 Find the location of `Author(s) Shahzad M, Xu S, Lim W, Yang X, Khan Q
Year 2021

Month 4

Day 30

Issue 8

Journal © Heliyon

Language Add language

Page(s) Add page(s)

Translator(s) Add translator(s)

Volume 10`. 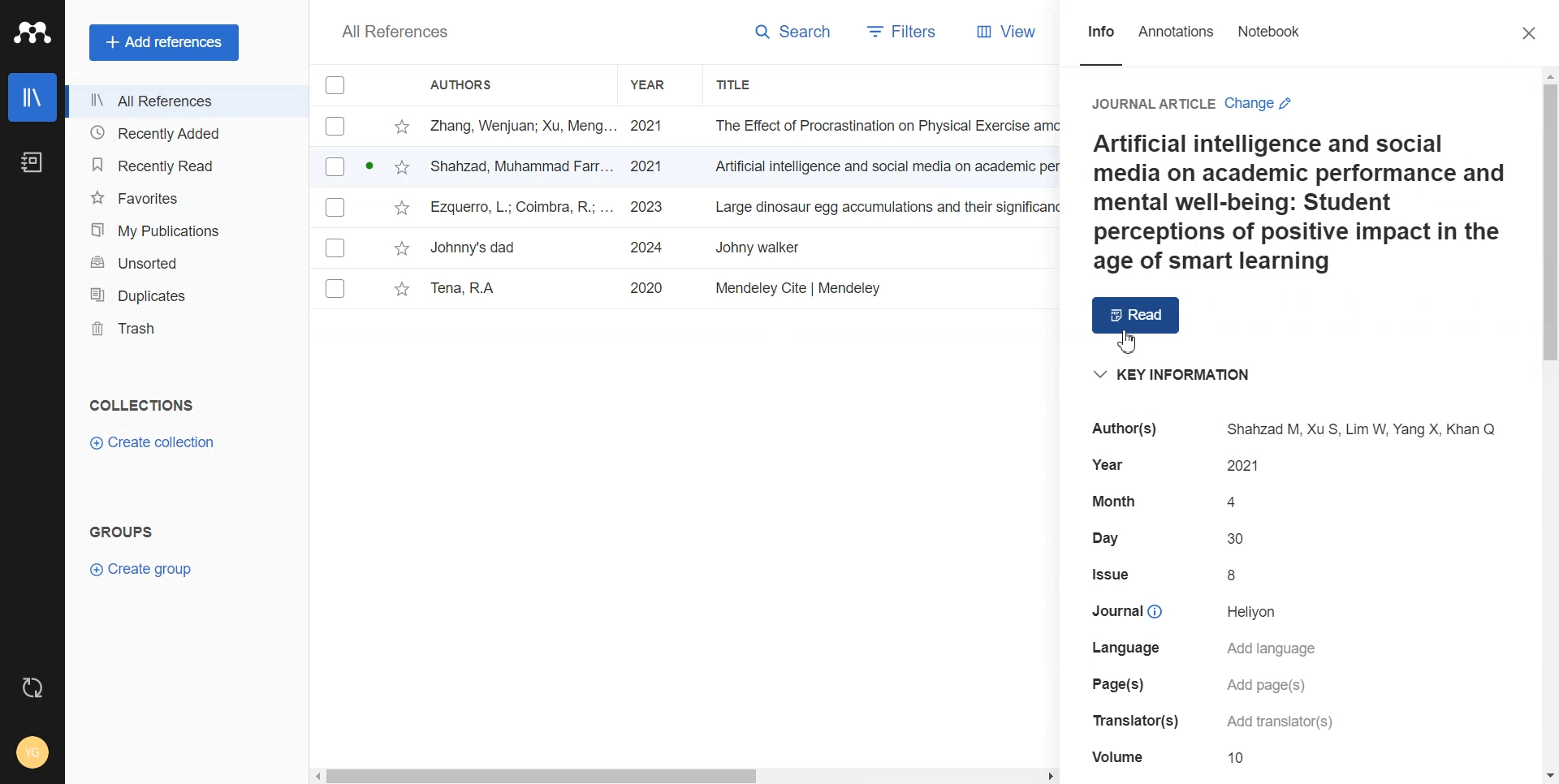

Author(s) Shahzad M, Xu S, Lim W, Yang X, Khan Q
Year 2021

Month 4

Day 30

Issue 8

Journal © Heliyon

Language Add language

Page(s) Add page(s)

Translator(s) Add translator(s)

Volume 10 is located at coordinates (1296, 593).